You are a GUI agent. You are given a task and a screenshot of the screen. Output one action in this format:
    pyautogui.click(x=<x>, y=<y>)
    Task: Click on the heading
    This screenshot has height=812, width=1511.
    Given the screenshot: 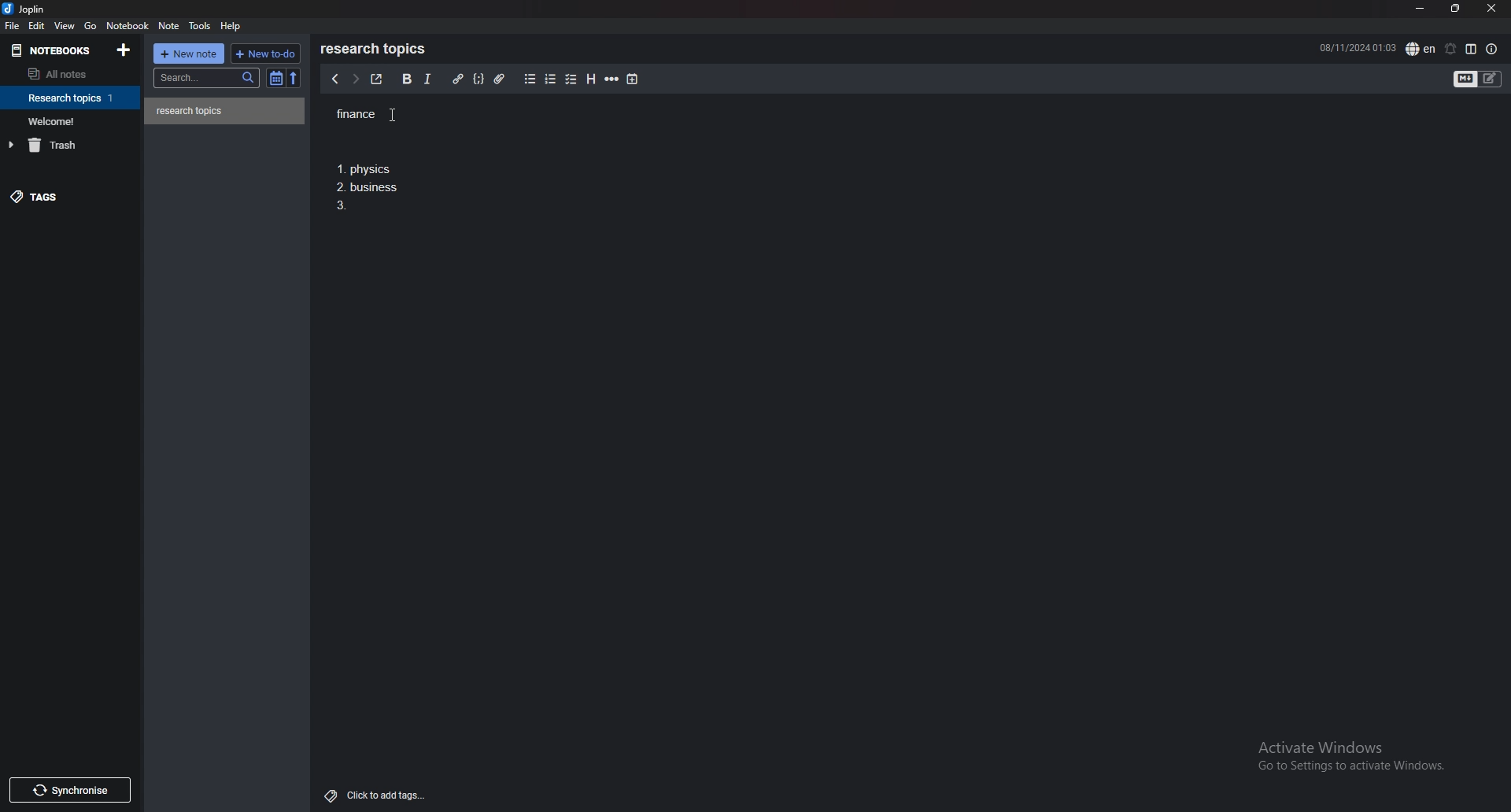 What is the action you would take?
    pyautogui.click(x=590, y=79)
    